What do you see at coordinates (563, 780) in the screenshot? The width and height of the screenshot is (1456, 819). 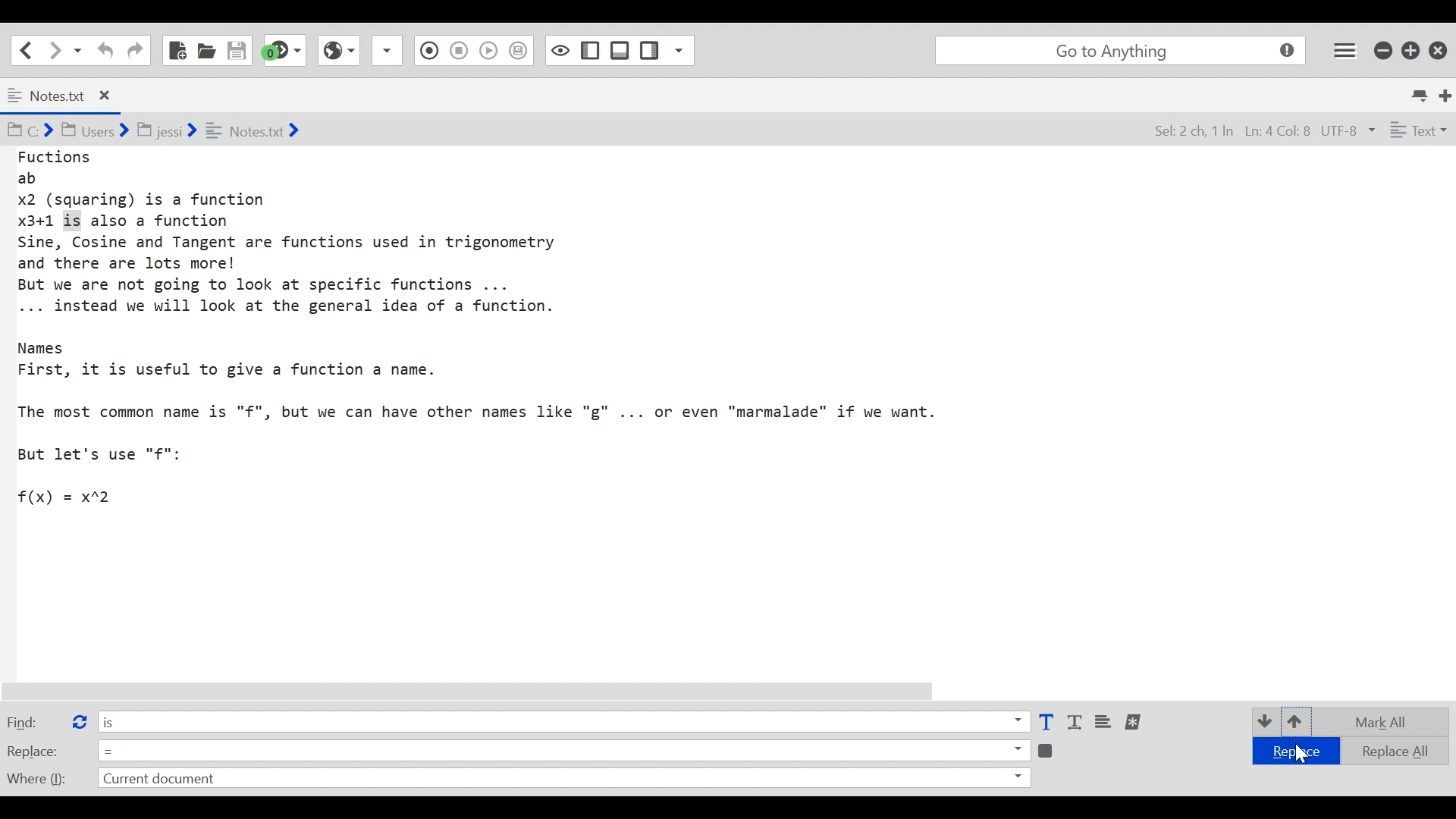 I see `Where Field` at bounding box center [563, 780].